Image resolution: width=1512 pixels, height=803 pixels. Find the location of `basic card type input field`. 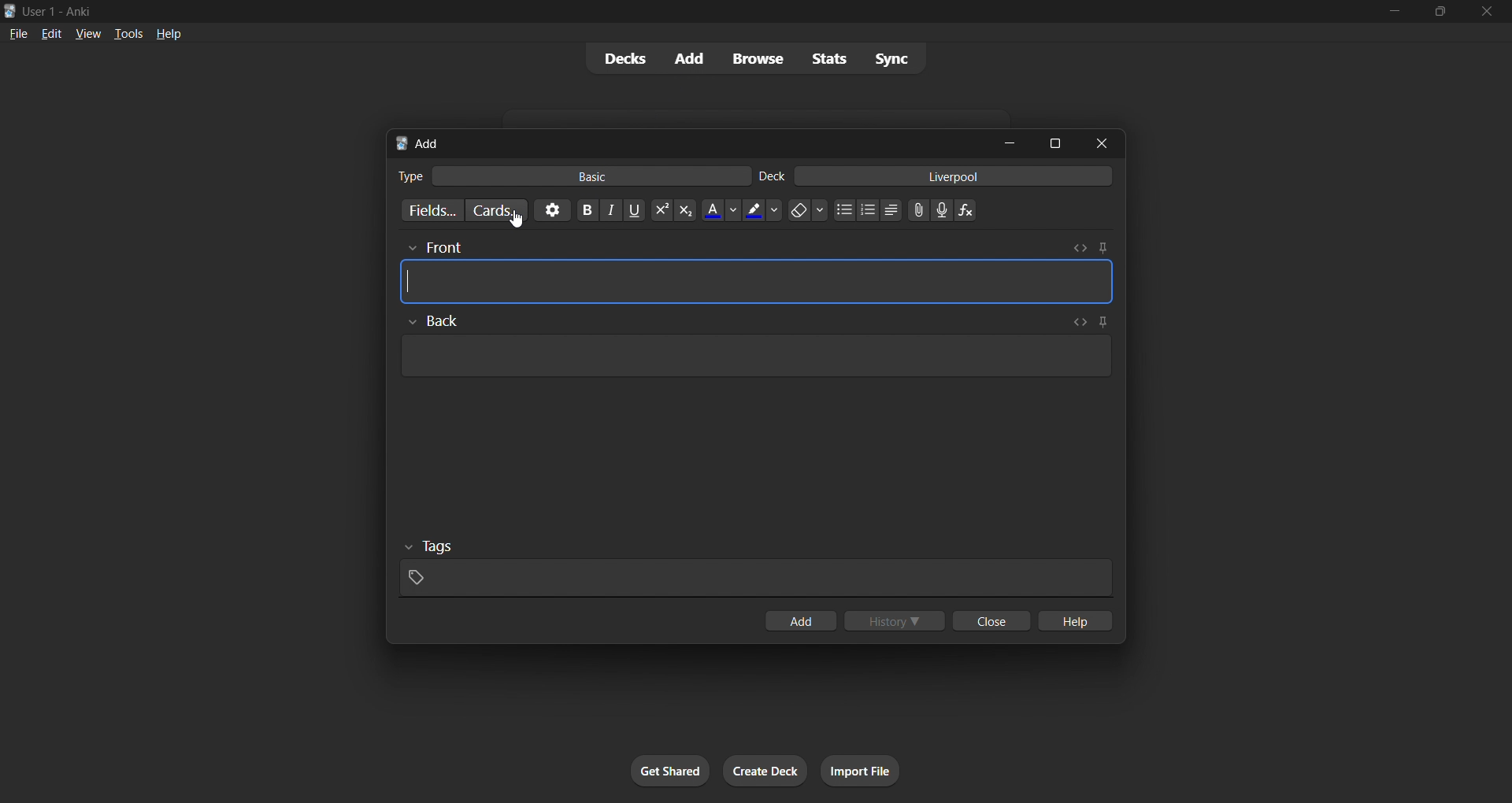

basic card type input field is located at coordinates (575, 176).